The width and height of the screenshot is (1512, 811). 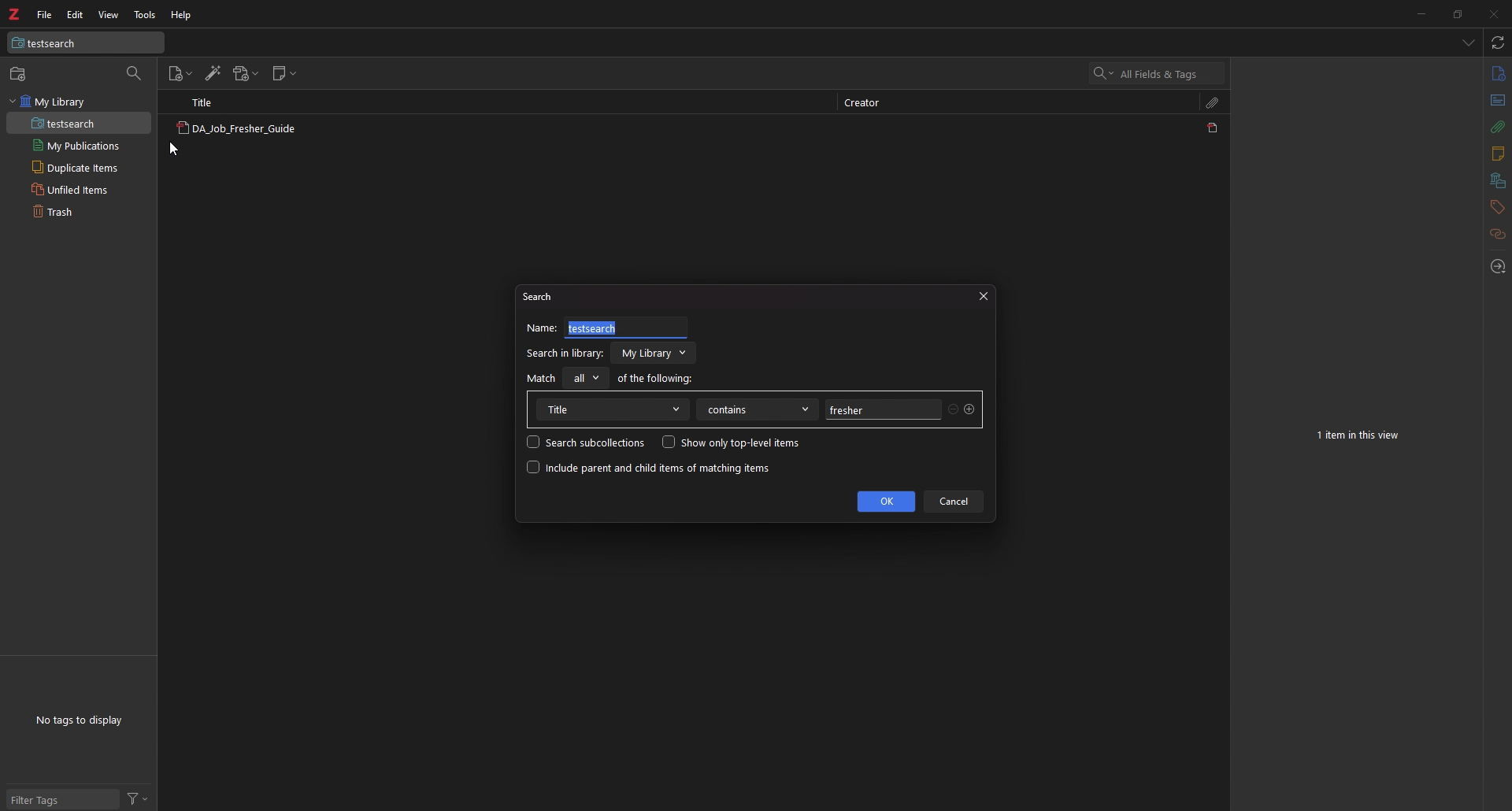 I want to click on my publications, so click(x=79, y=146).